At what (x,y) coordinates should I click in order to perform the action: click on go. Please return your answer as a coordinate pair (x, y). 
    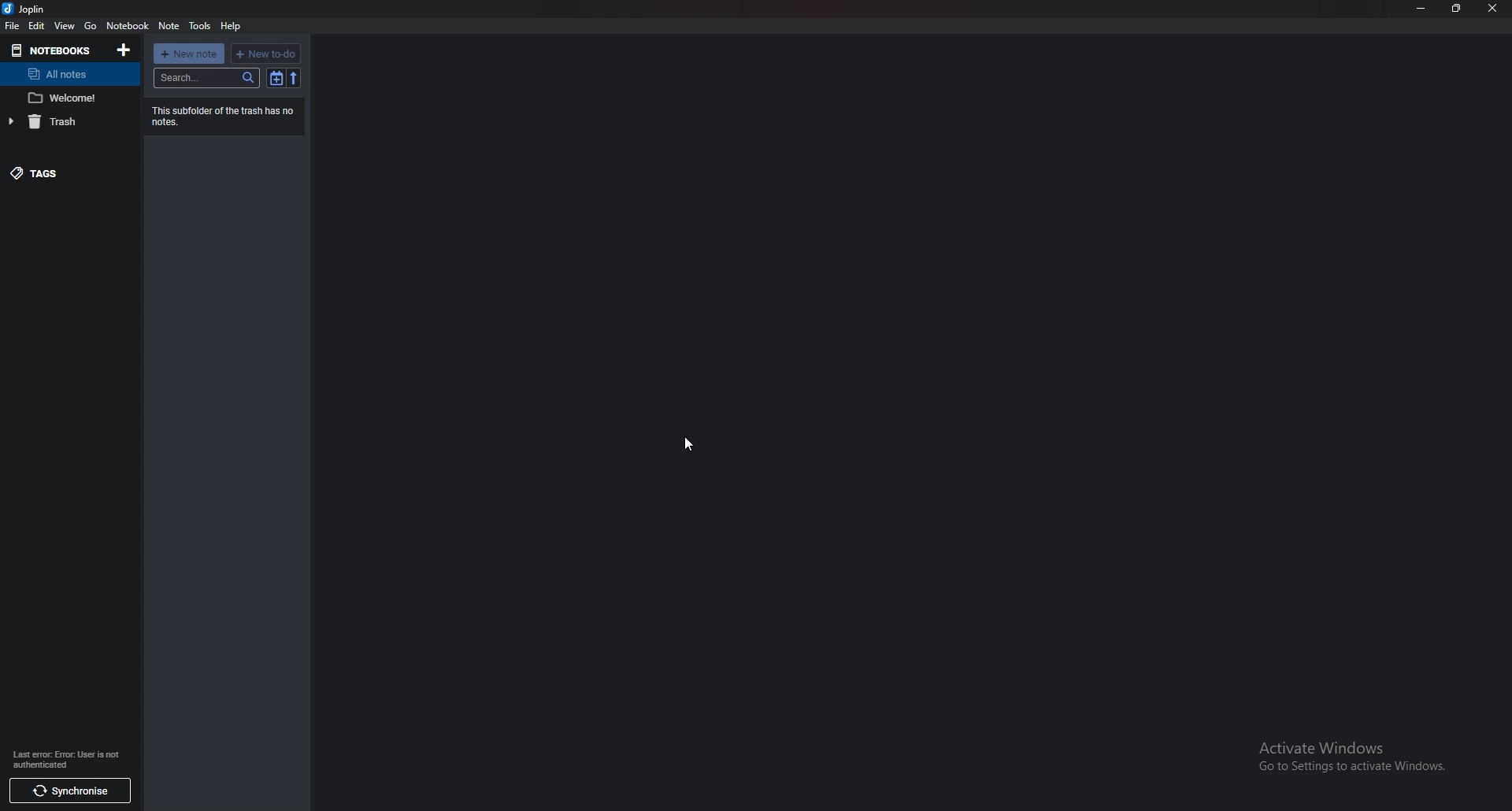
    Looking at the image, I should click on (91, 26).